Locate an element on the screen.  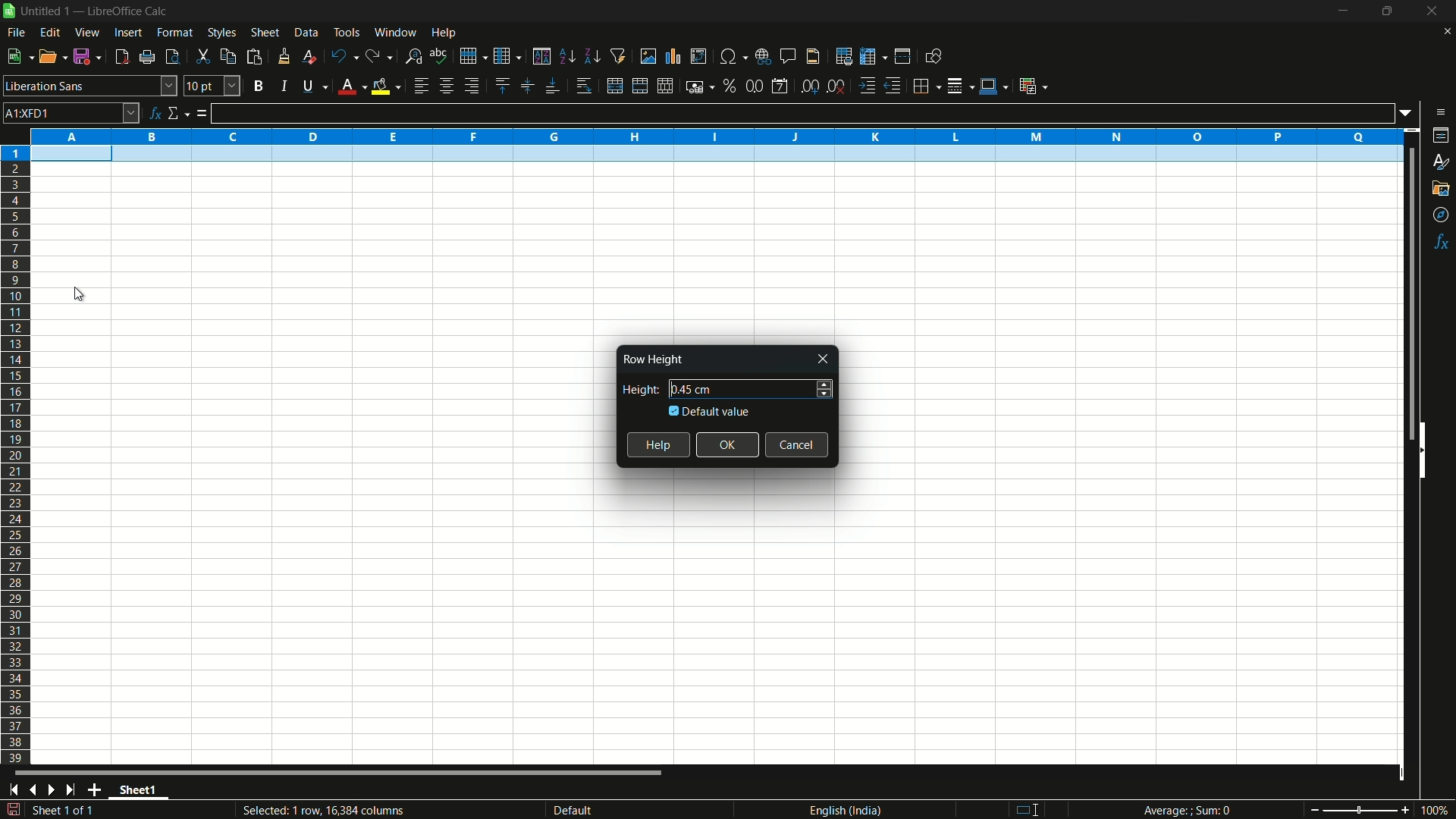
tools menu is located at coordinates (346, 32).